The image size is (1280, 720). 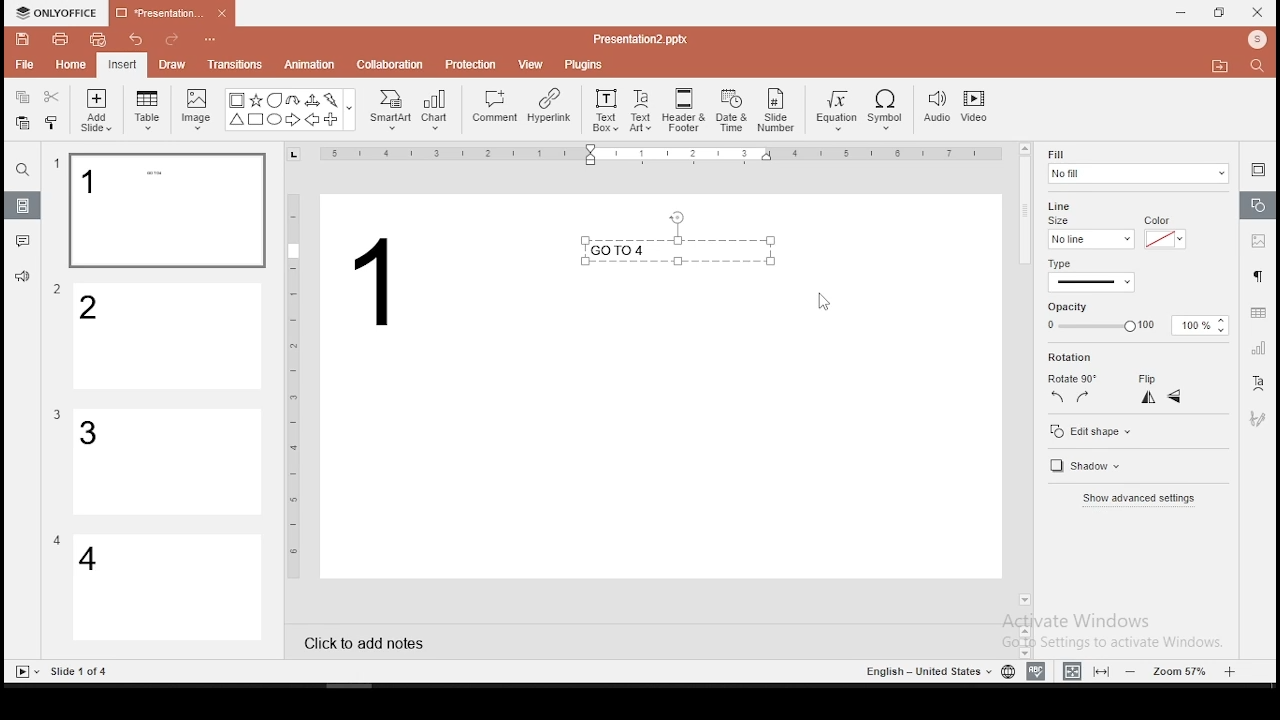 What do you see at coordinates (276, 119) in the screenshot?
I see `Circle` at bounding box center [276, 119].